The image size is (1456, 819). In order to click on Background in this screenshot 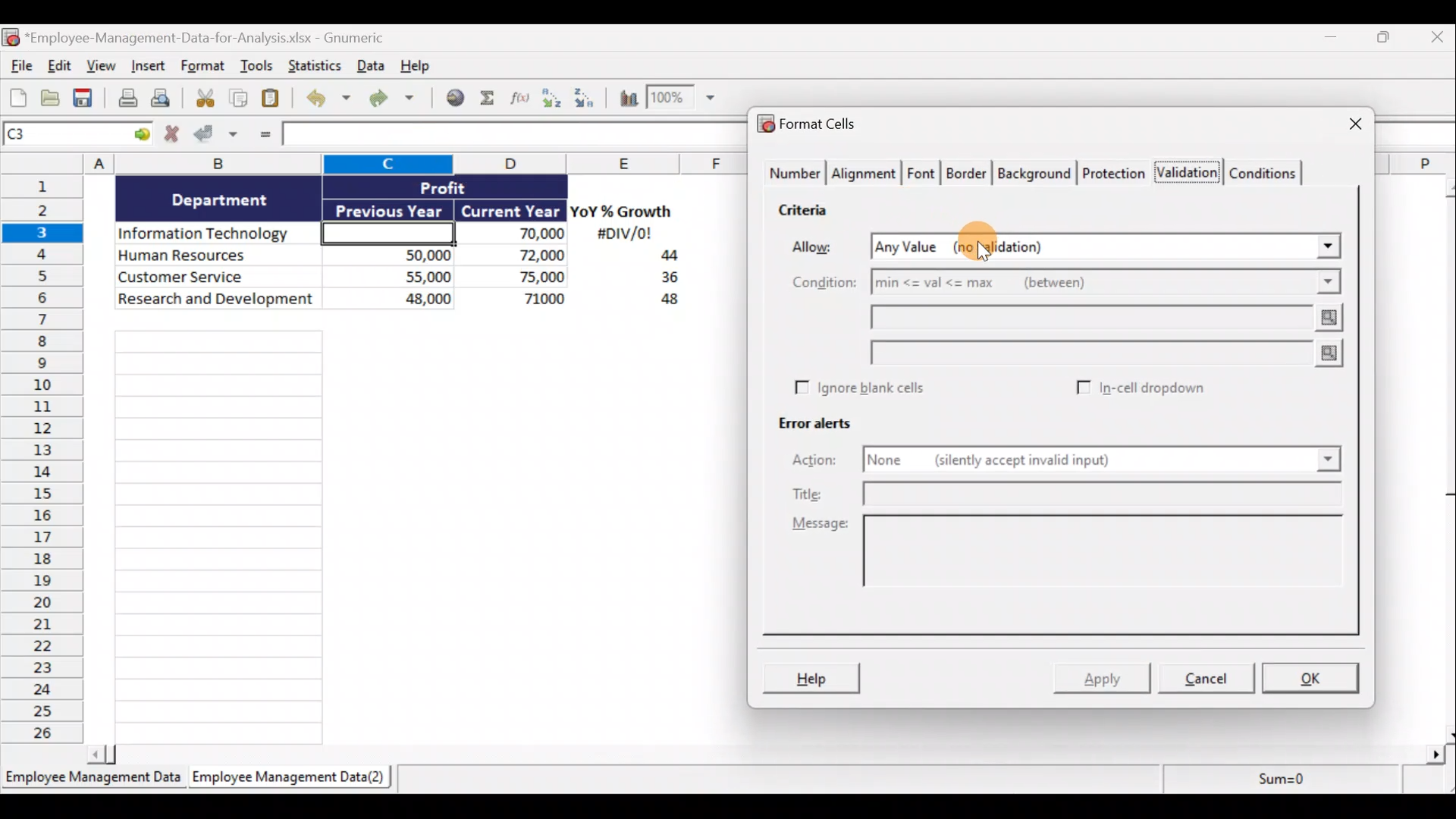, I will do `click(1038, 174)`.